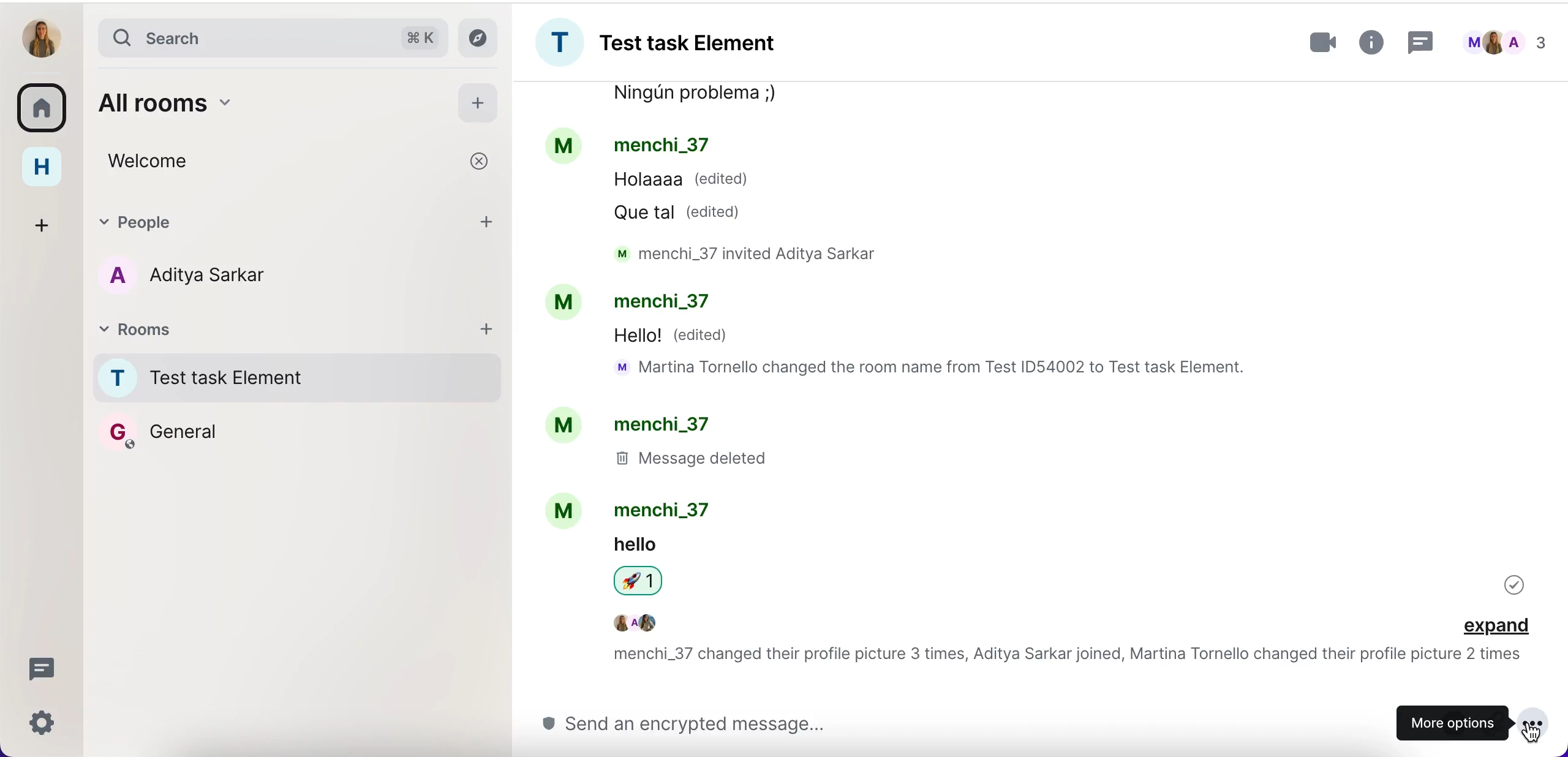 The width and height of the screenshot is (1568, 757). What do you see at coordinates (1531, 733) in the screenshot?
I see `cursor` at bounding box center [1531, 733].